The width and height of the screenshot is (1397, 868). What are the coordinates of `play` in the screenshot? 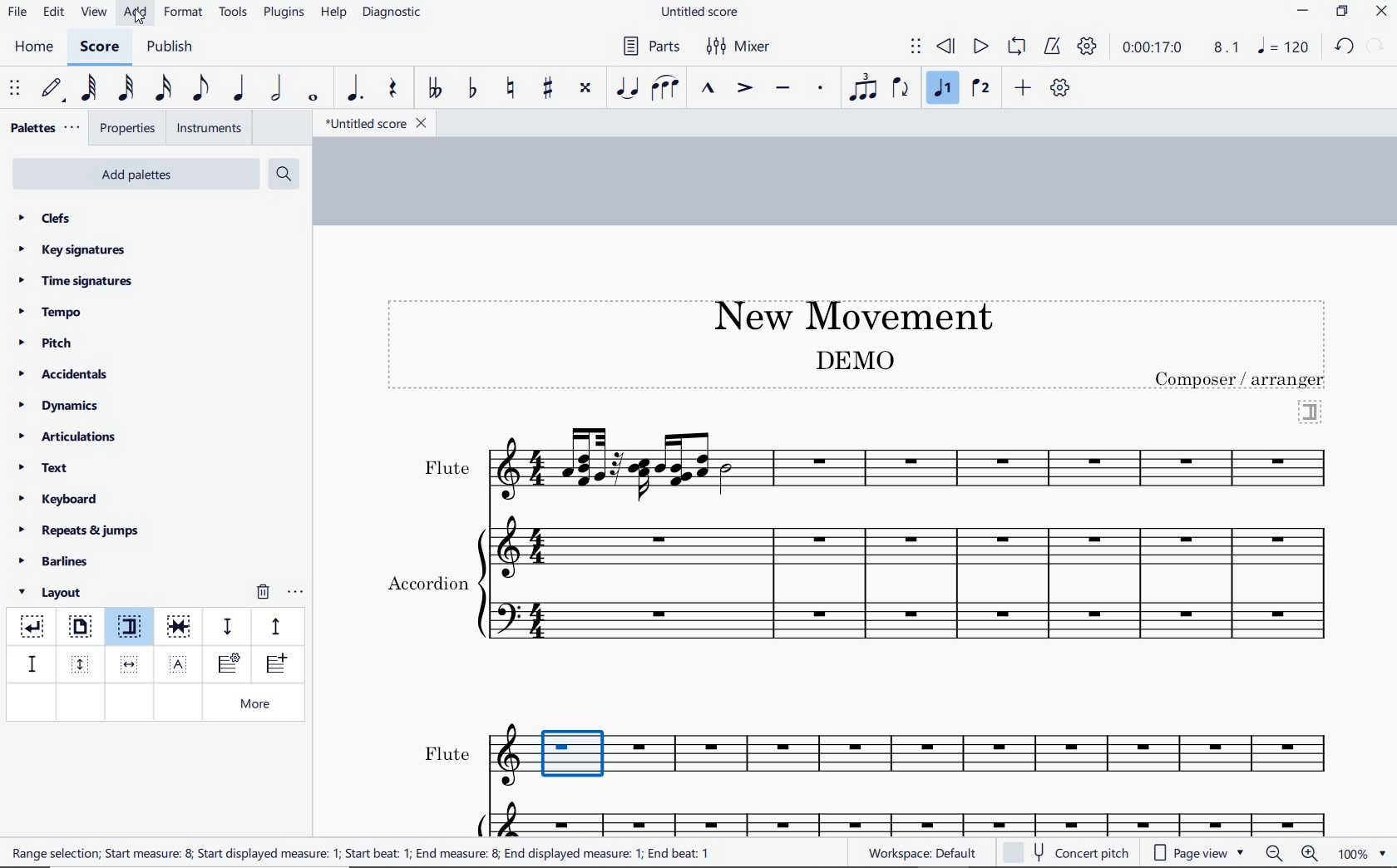 It's located at (979, 48).